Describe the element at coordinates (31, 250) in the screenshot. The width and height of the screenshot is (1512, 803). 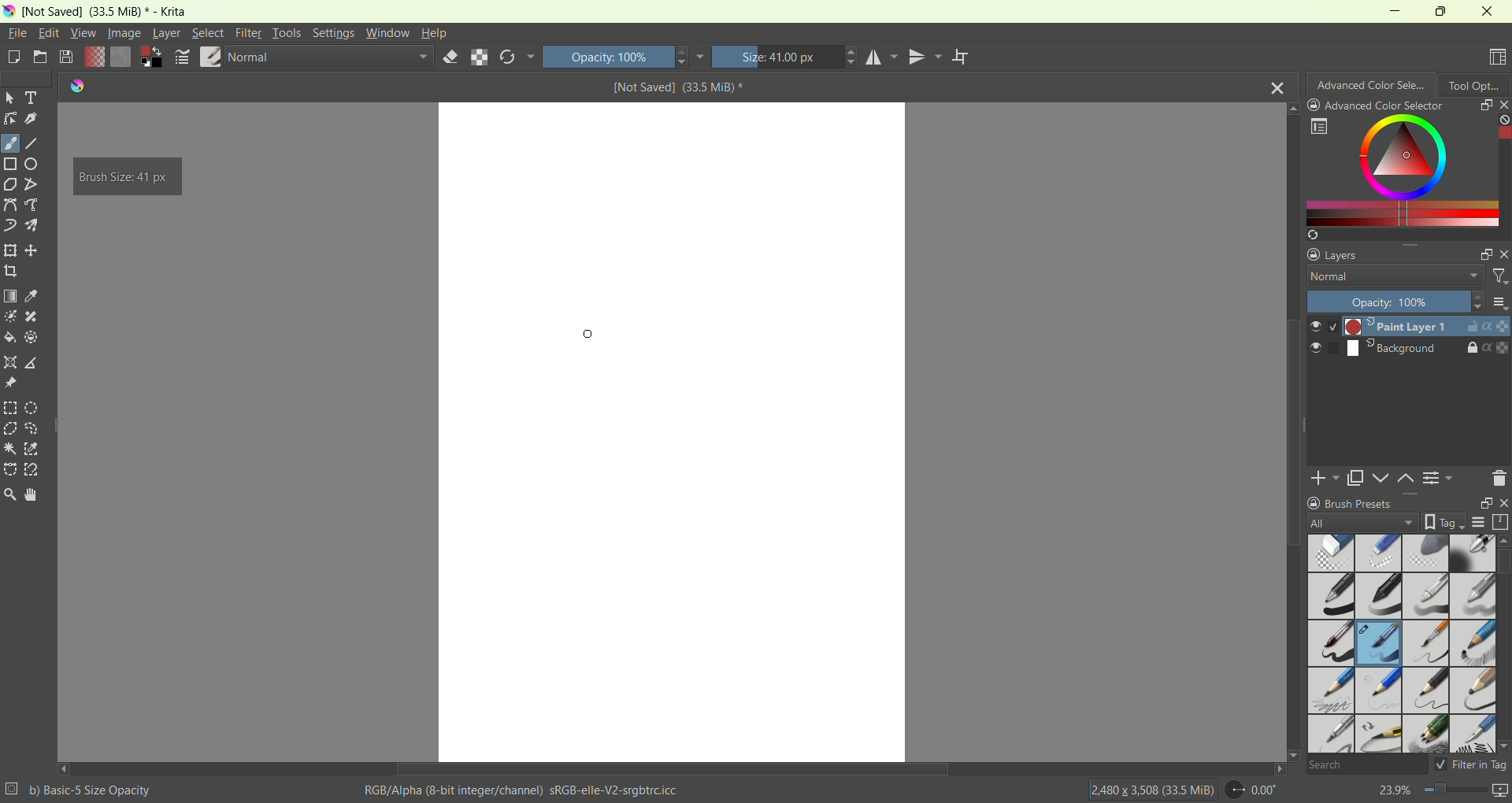
I see `move` at that location.